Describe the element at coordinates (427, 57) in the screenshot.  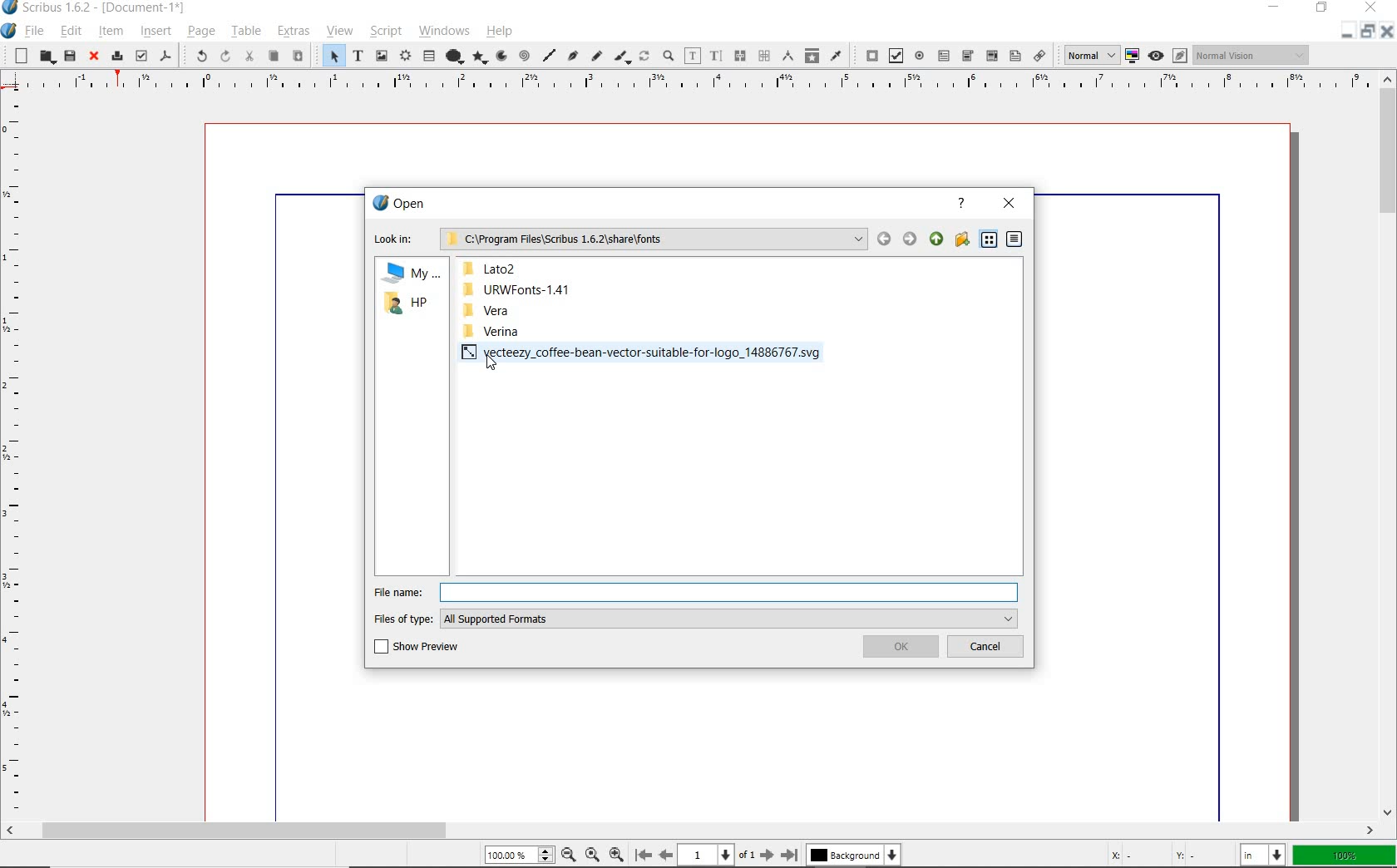
I see `table` at that location.